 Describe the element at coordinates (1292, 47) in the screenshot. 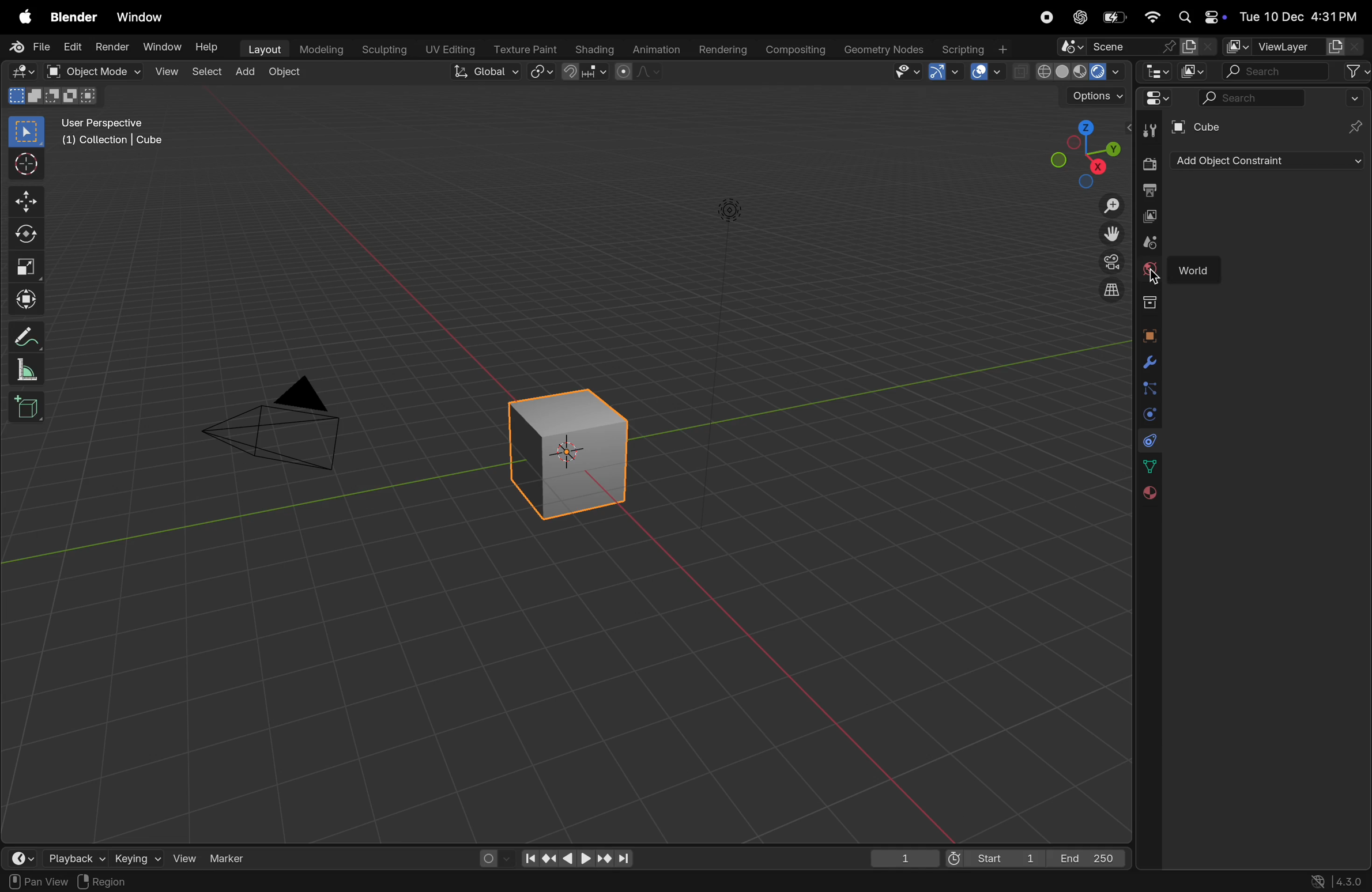

I see `View layer` at that location.